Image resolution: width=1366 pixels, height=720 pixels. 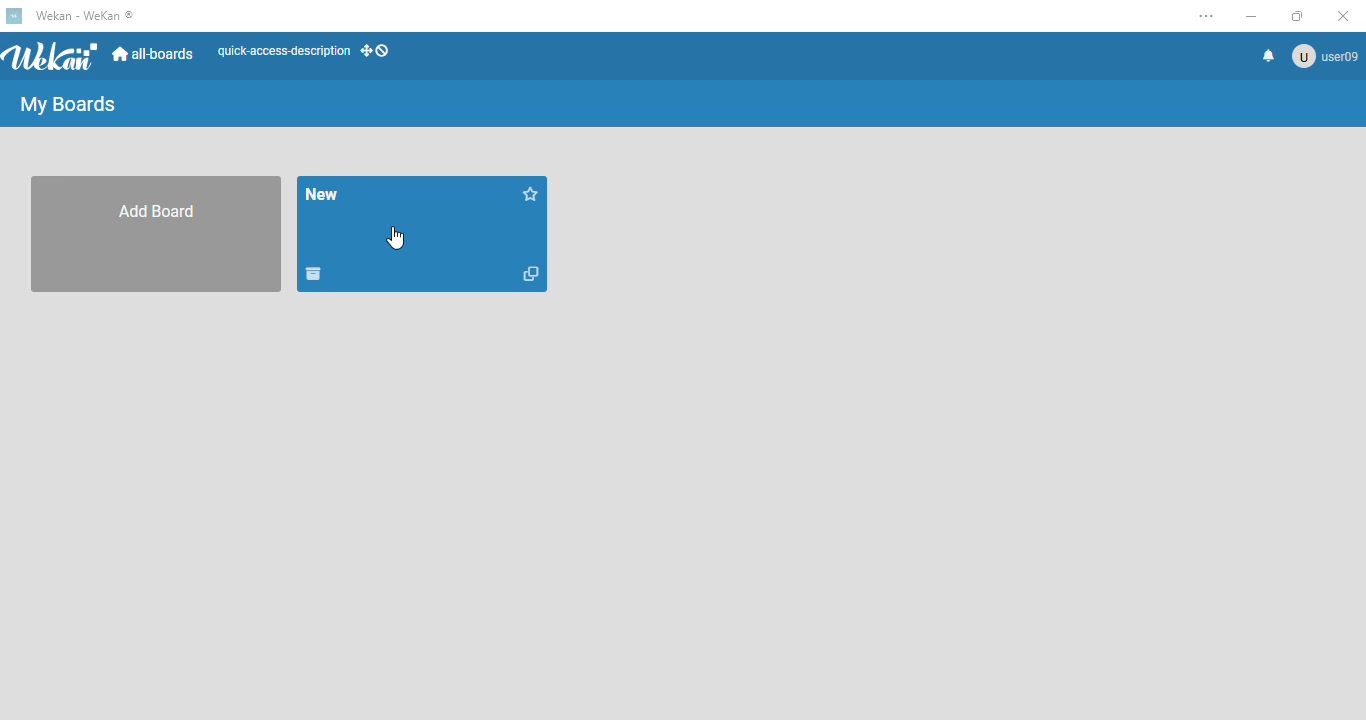 What do you see at coordinates (157, 234) in the screenshot?
I see `add board` at bounding box center [157, 234].